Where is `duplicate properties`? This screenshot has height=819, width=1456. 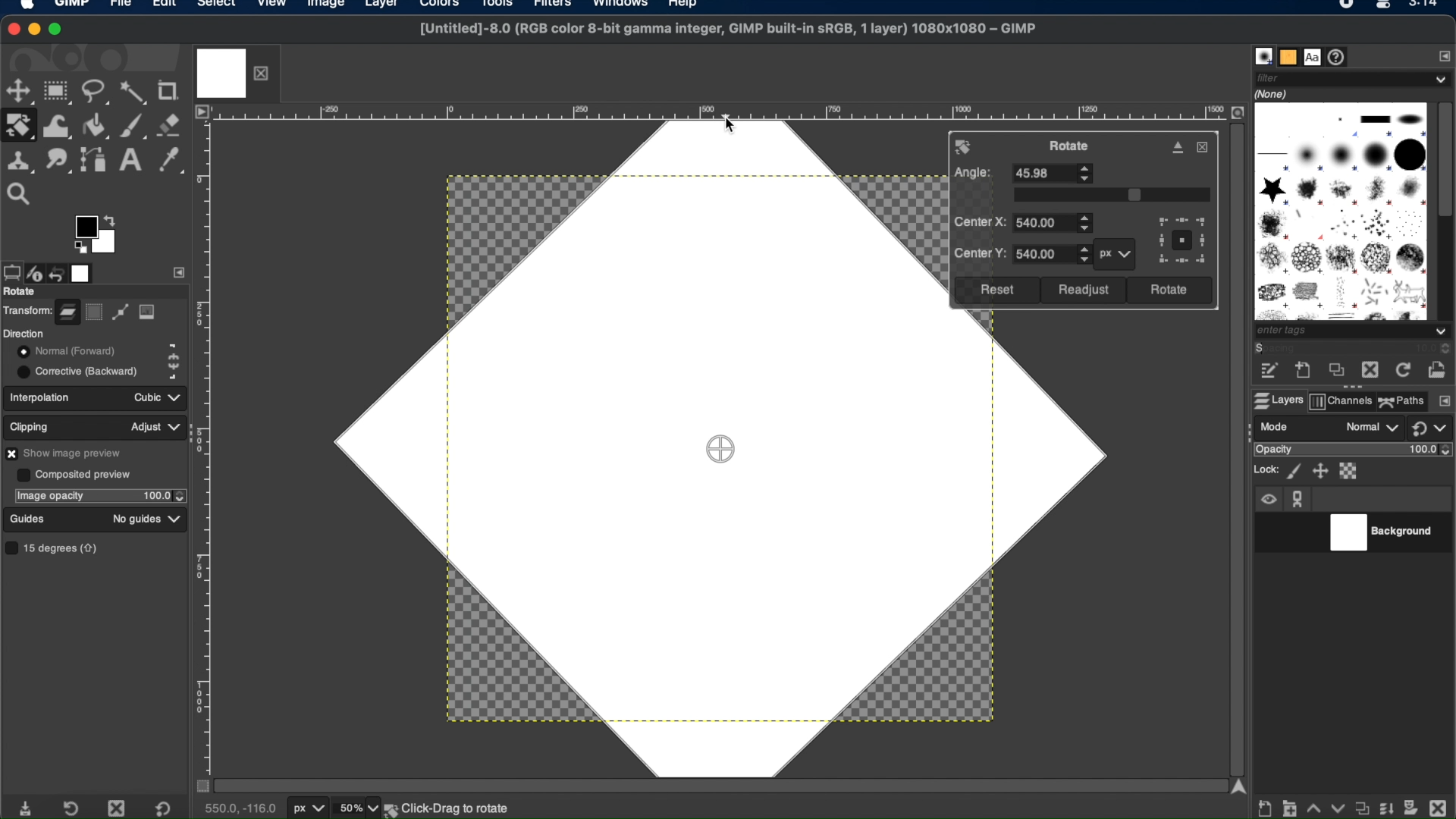 duplicate properties is located at coordinates (1360, 805).